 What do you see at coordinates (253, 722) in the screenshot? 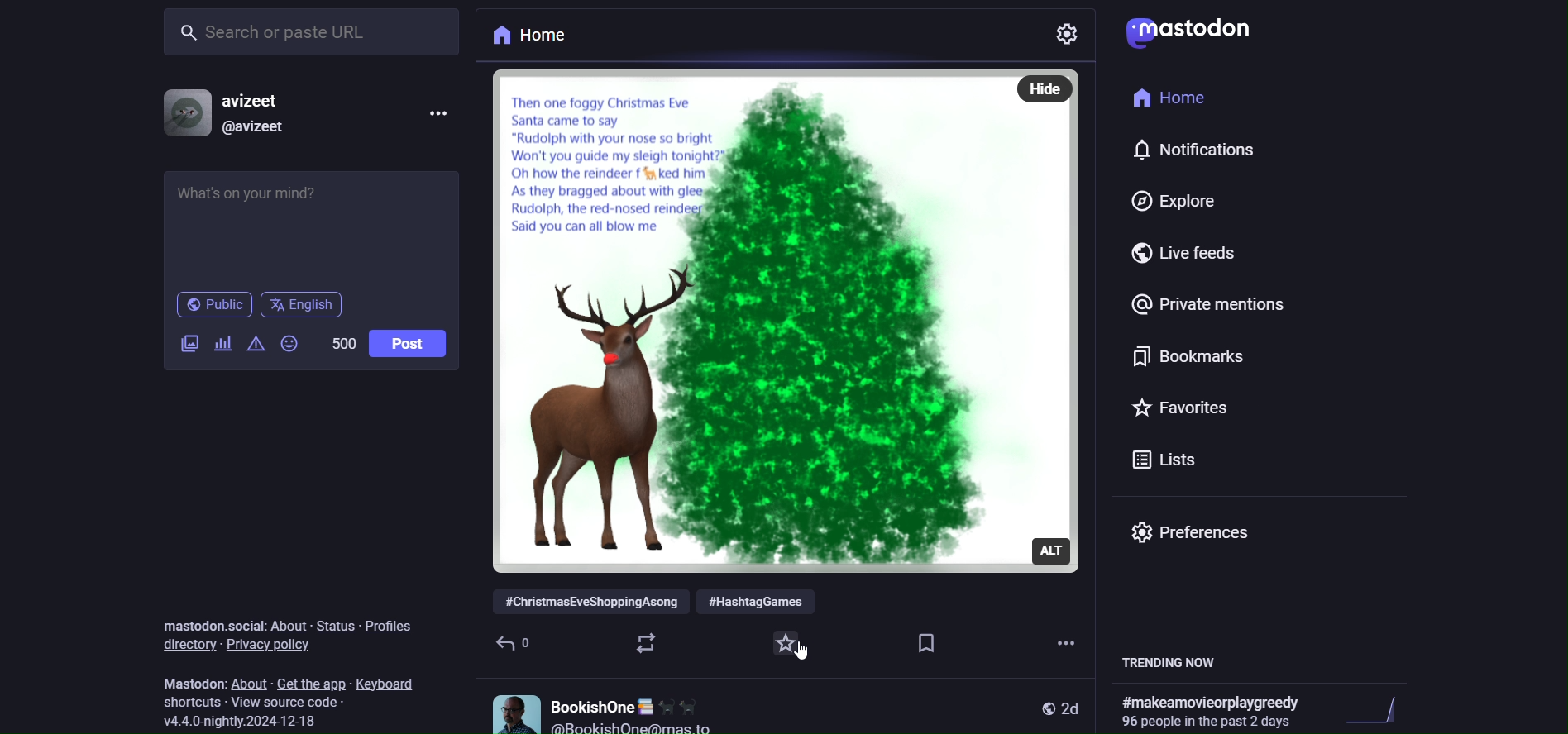
I see `version` at bounding box center [253, 722].